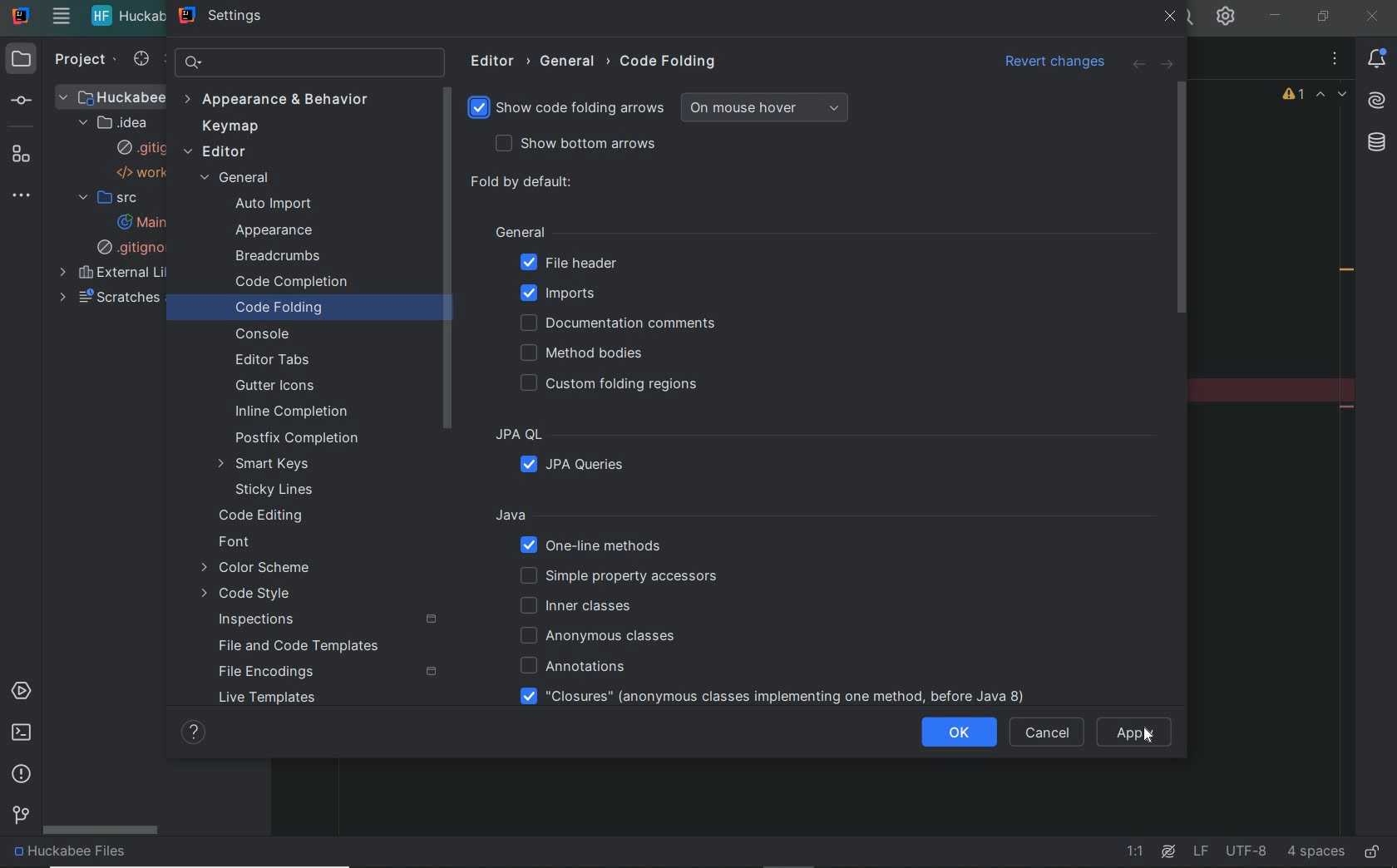  Describe the element at coordinates (1316, 851) in the screenshot. I see `indent` at that location.